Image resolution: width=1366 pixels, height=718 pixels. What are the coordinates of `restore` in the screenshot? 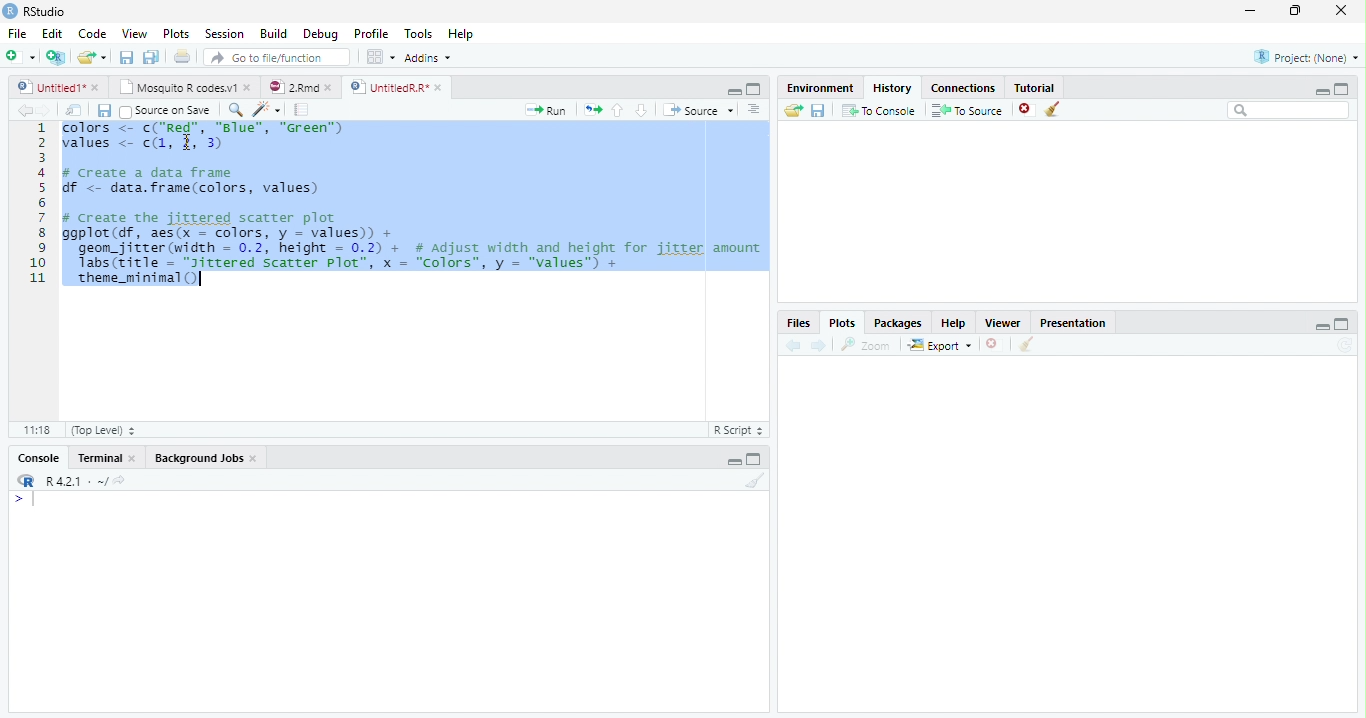 It's located at (1295, 11).